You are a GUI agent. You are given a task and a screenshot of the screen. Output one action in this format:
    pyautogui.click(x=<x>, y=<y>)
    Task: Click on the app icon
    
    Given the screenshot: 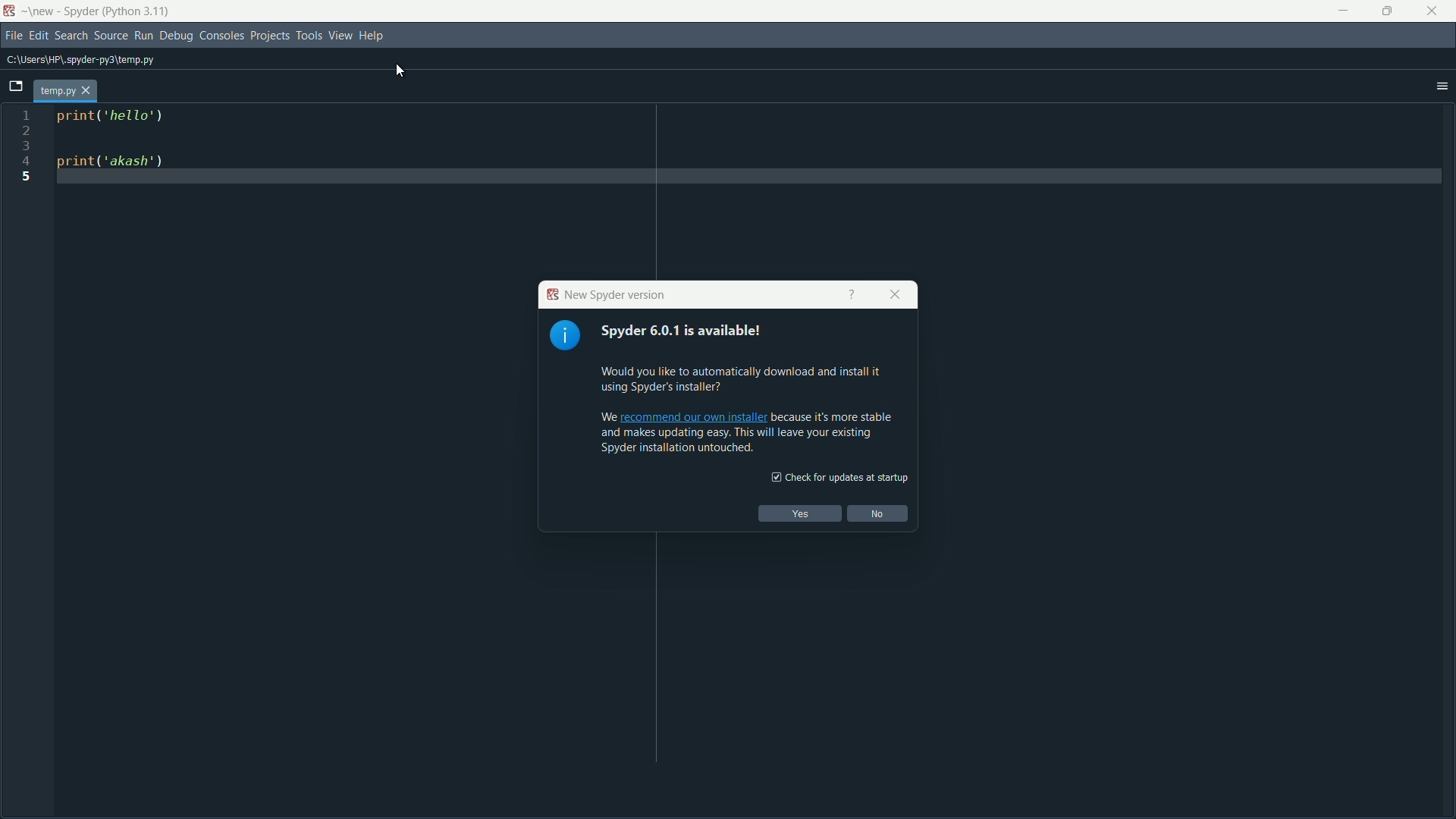 What is the action you would take?
    pyautogui.click(x=10, y=11)
    